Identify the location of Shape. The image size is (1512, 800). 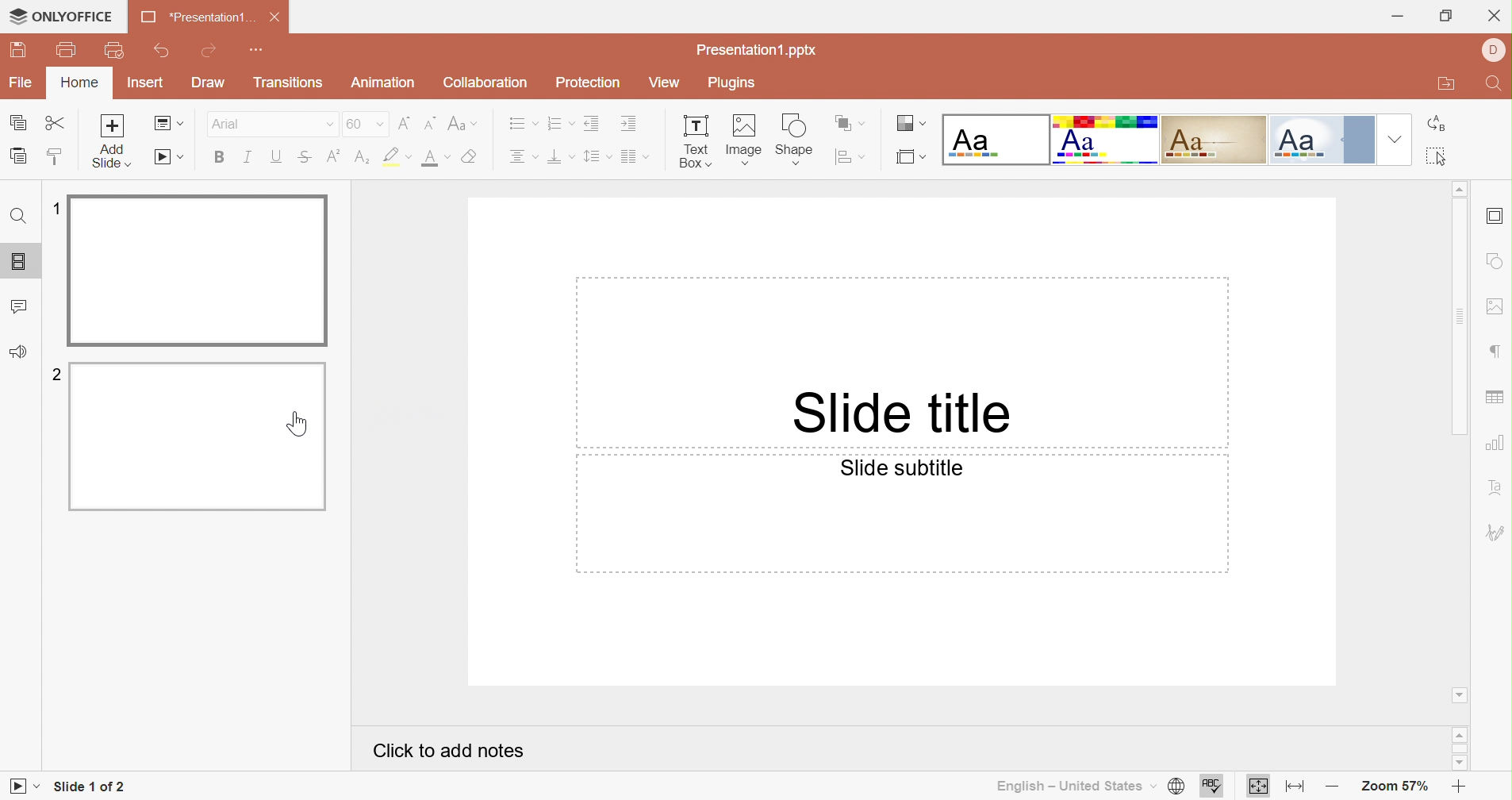
(795, 138).